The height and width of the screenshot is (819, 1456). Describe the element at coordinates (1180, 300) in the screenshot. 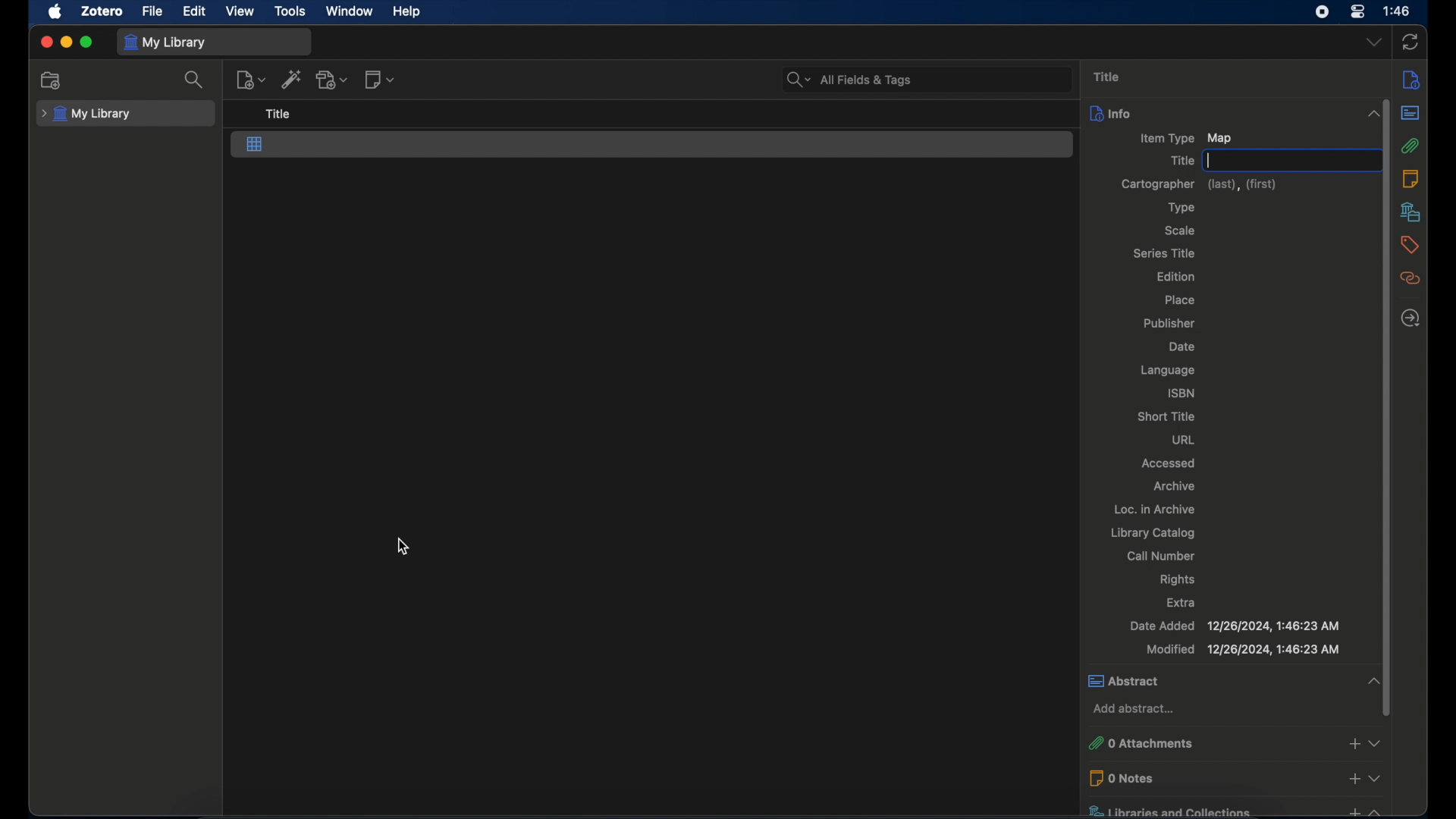

I see `place` at that location.